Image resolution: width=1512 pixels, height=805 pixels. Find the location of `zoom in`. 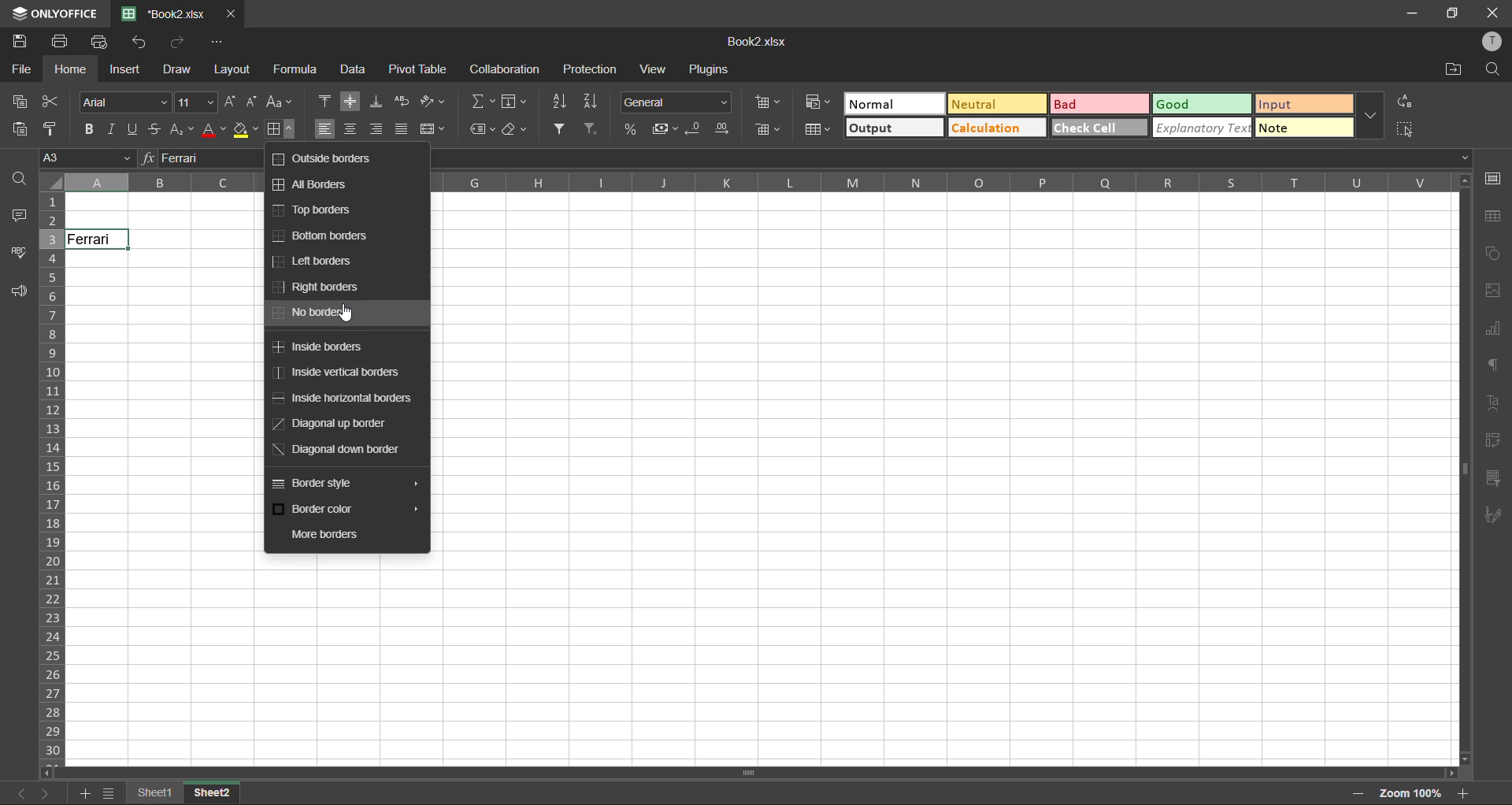

zoom in is located at coordinates (1462, 793).